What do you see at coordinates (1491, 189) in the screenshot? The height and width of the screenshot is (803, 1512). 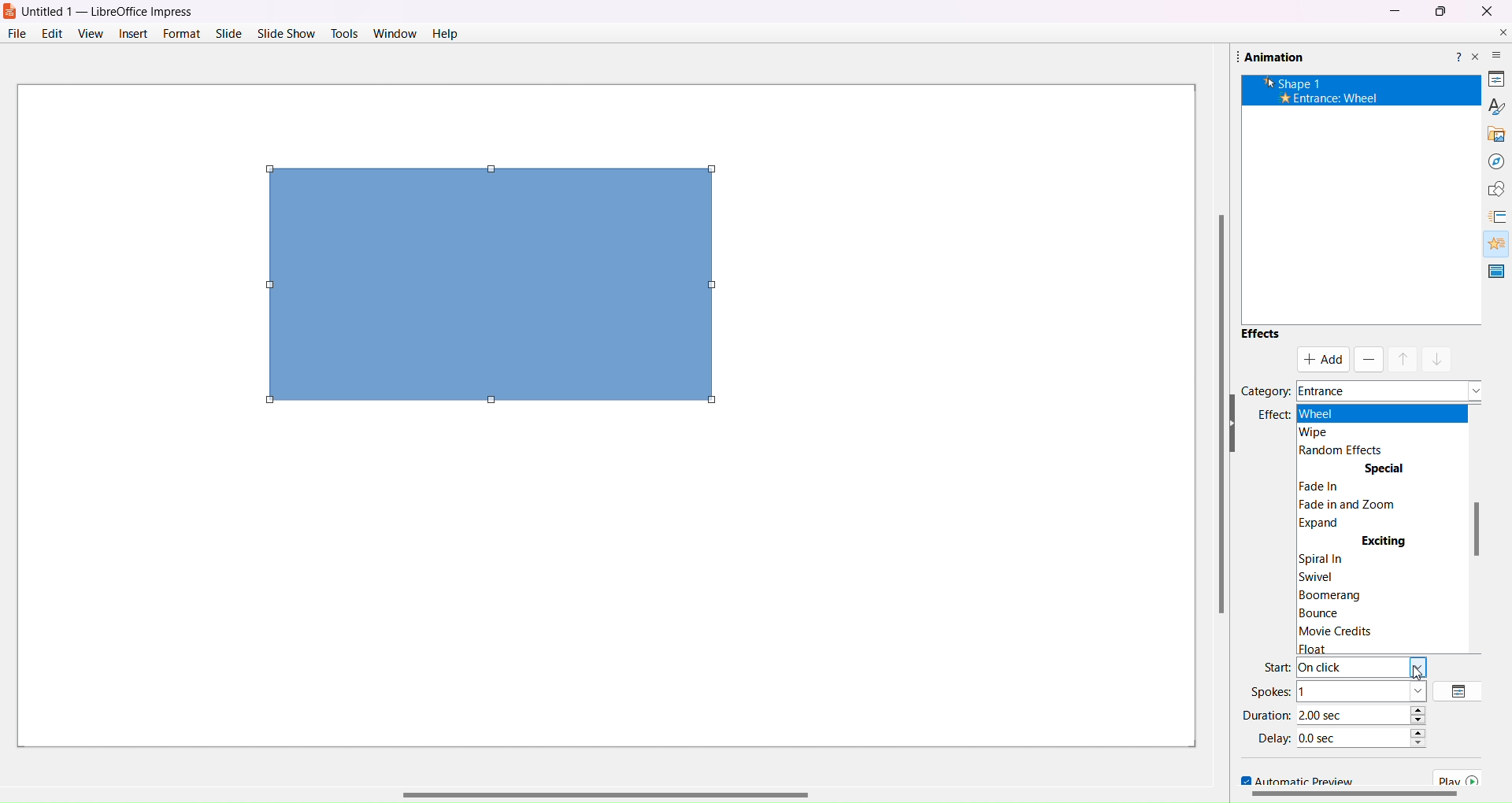 I see `Shapes` at bounding box center [1491, 189].